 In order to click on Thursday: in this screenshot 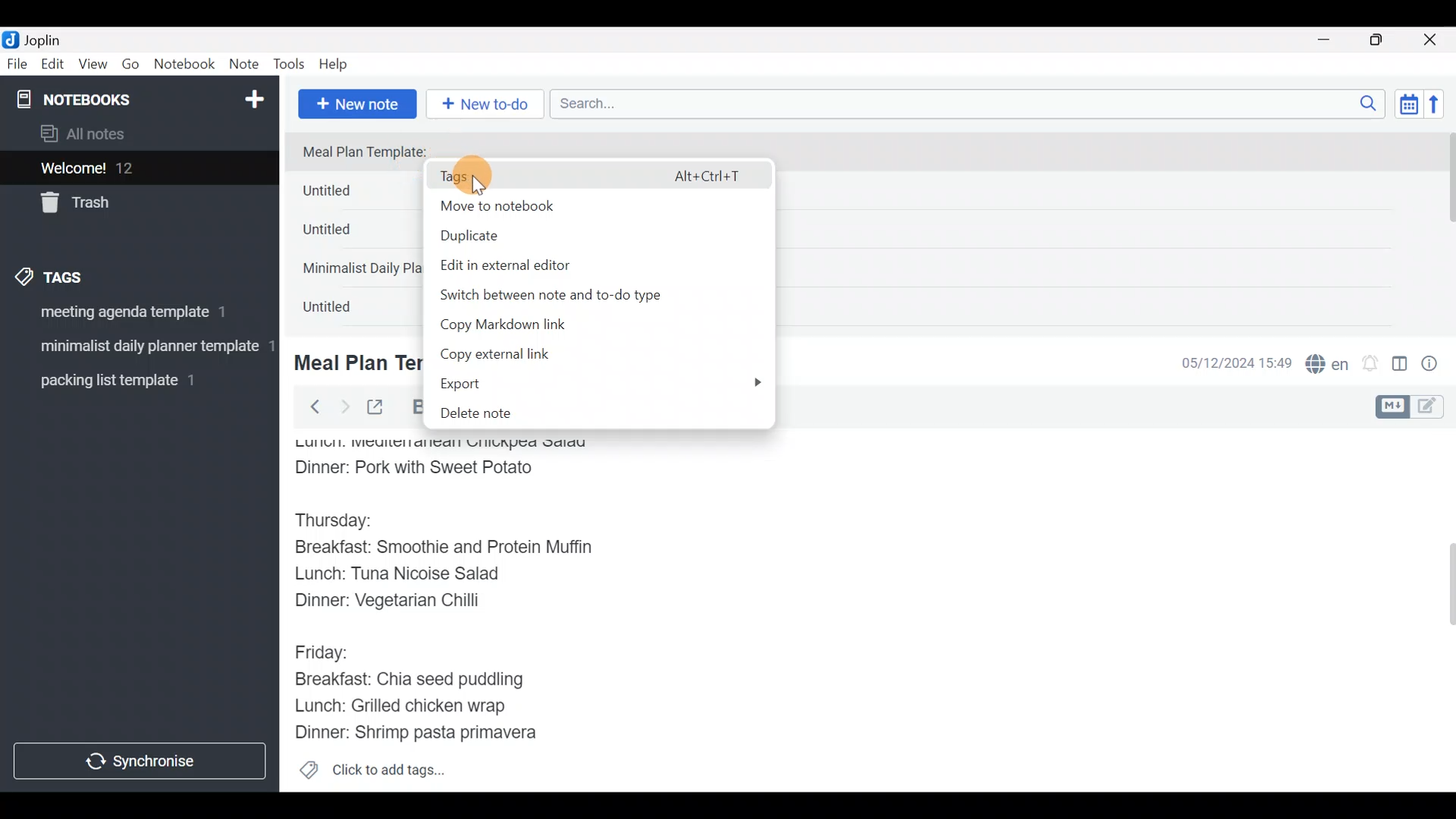, I will do `click(344, 521)`.